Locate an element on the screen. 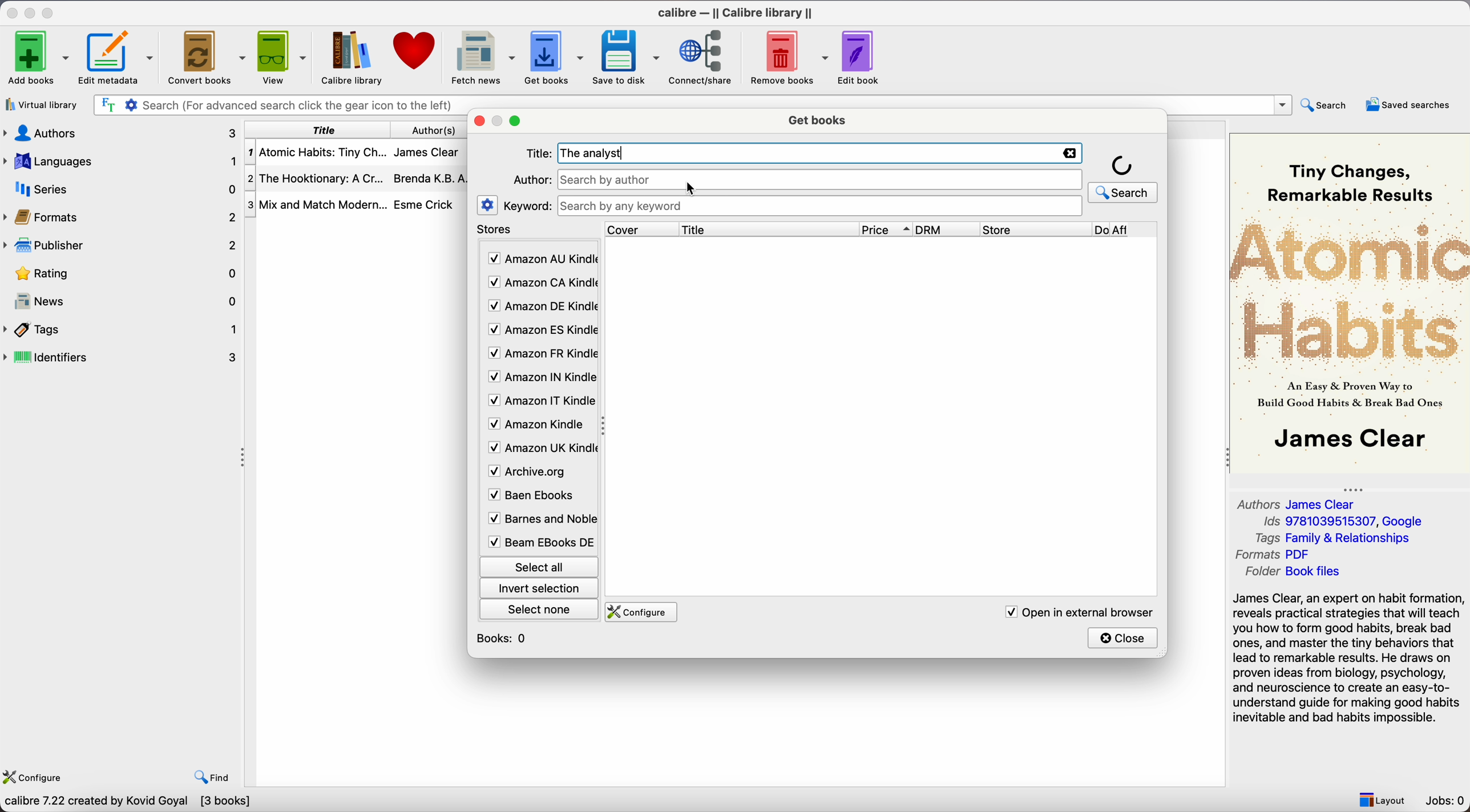 This screenshot has width=1470, height=812. donate is located at coordinates (413, 53).